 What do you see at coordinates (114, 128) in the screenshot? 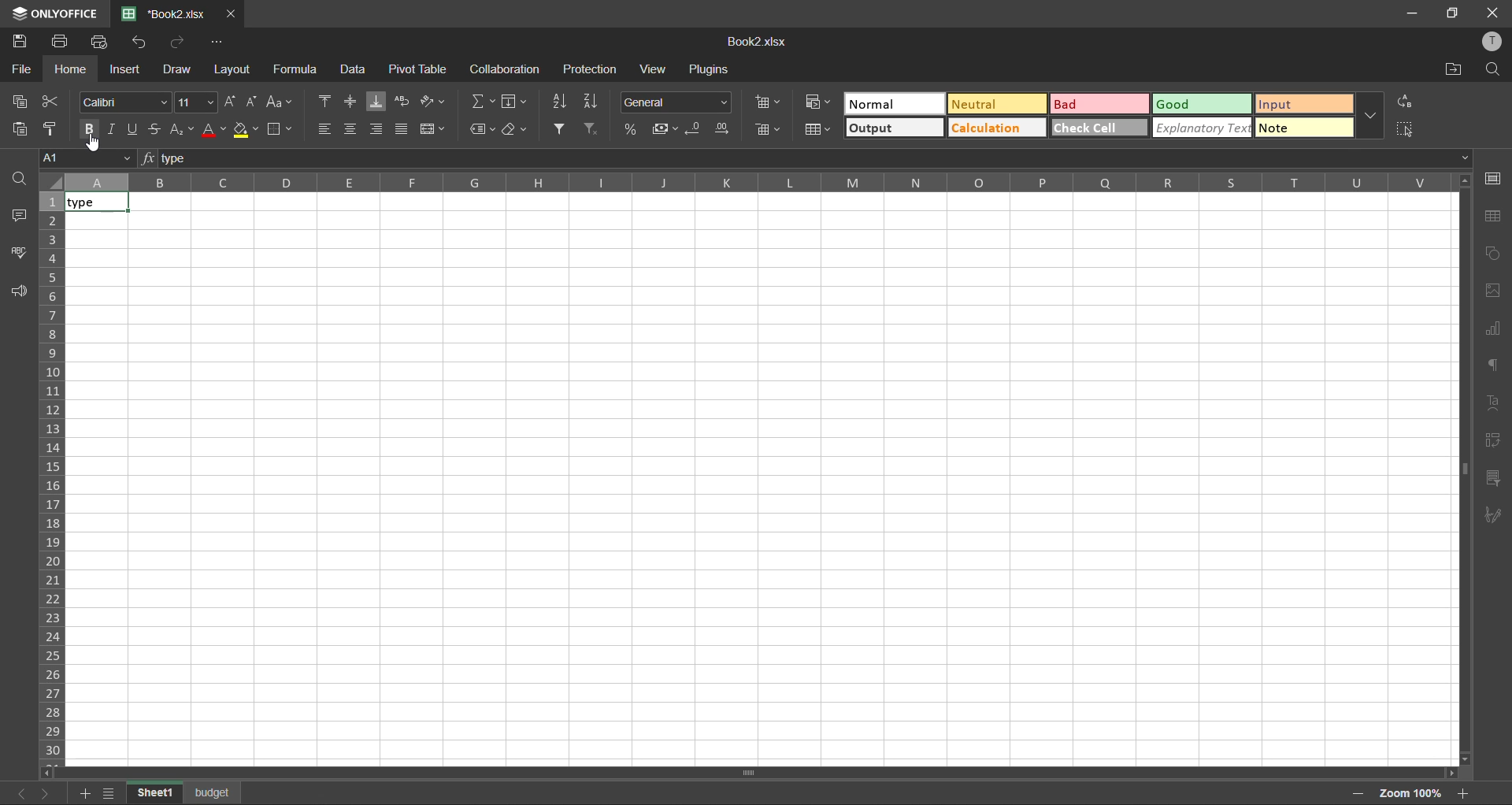
I see `italic` at bounding box center [114, 128].